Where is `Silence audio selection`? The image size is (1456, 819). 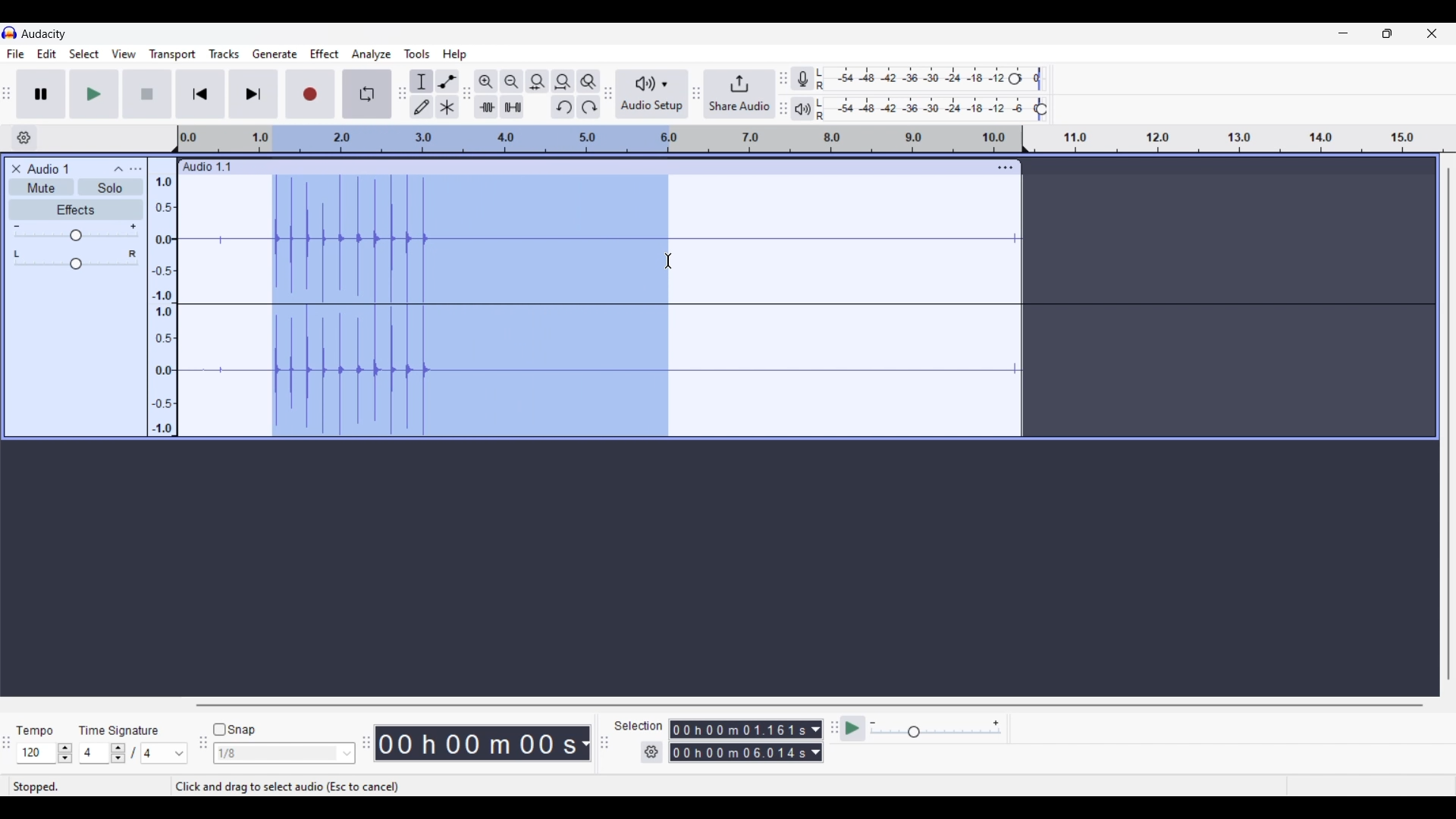
Silence audio selection is located at coordinates (512, 107).